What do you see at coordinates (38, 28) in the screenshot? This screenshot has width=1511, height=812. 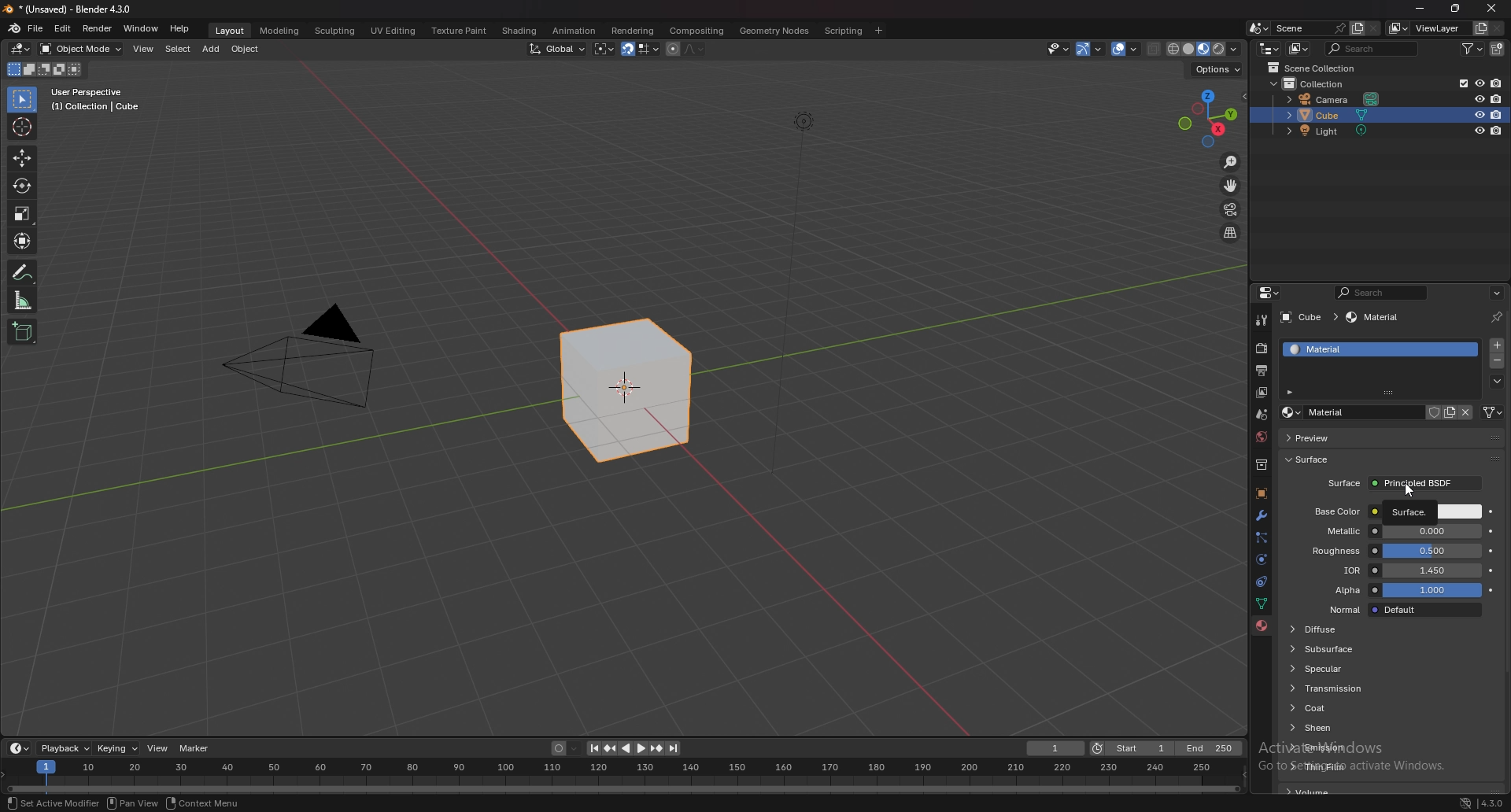 I see `file` at bounding box center [38, 28].